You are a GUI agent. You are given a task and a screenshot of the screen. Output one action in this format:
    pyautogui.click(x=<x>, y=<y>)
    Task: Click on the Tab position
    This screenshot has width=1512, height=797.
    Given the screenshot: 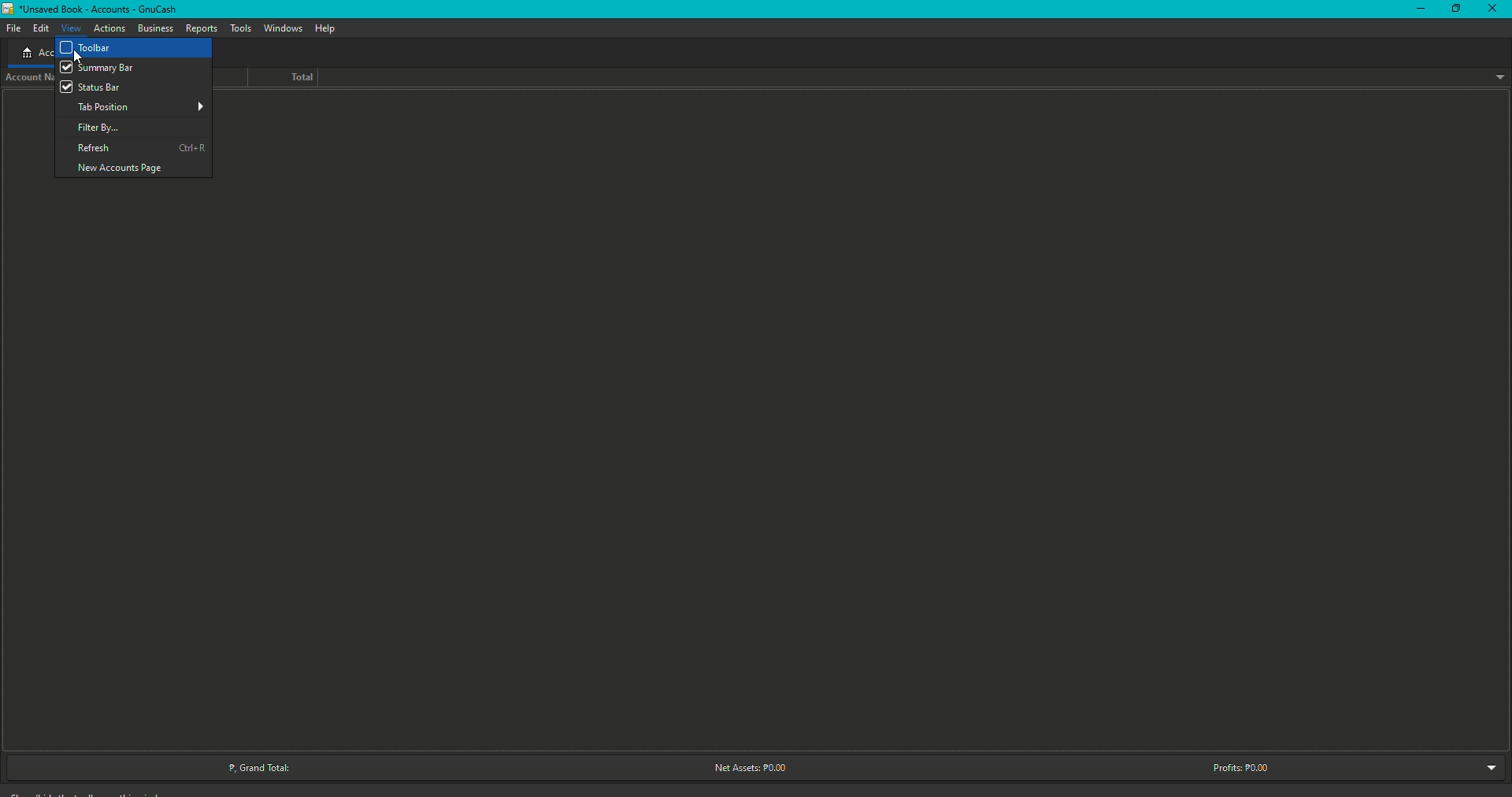 What is the action you would take?
    pyautogui.click(x=107, y=106)
    